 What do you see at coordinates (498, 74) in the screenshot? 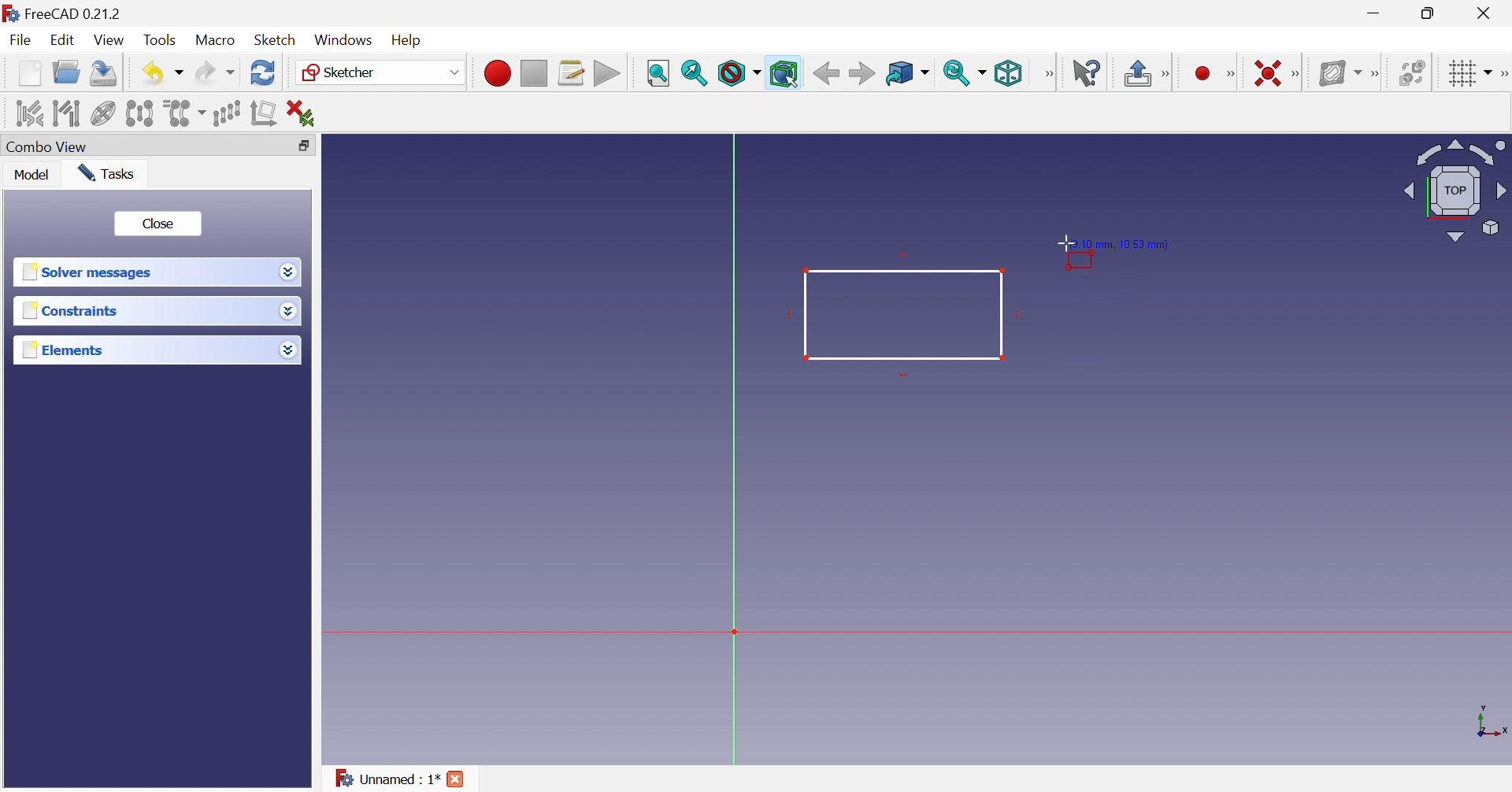
I see `Macro recording...` at bounding box center [498, 74].